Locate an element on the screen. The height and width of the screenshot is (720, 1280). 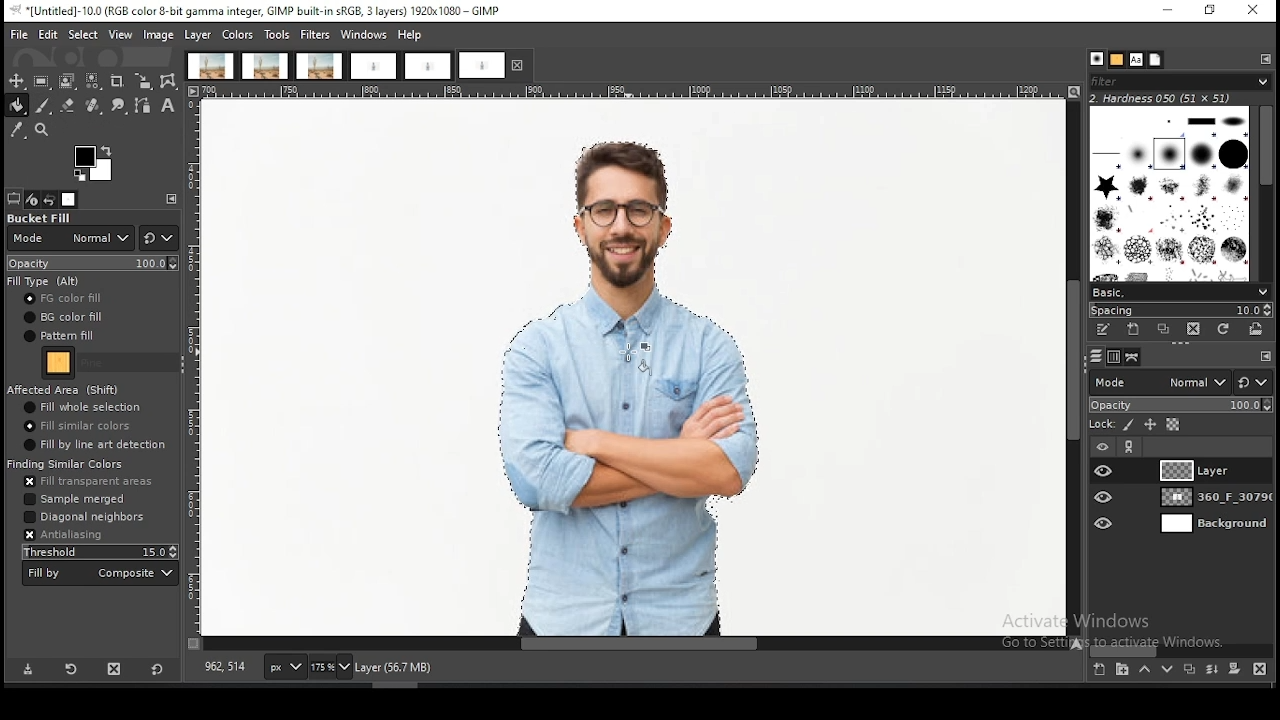
opacity is located at coordinates (94, 262).